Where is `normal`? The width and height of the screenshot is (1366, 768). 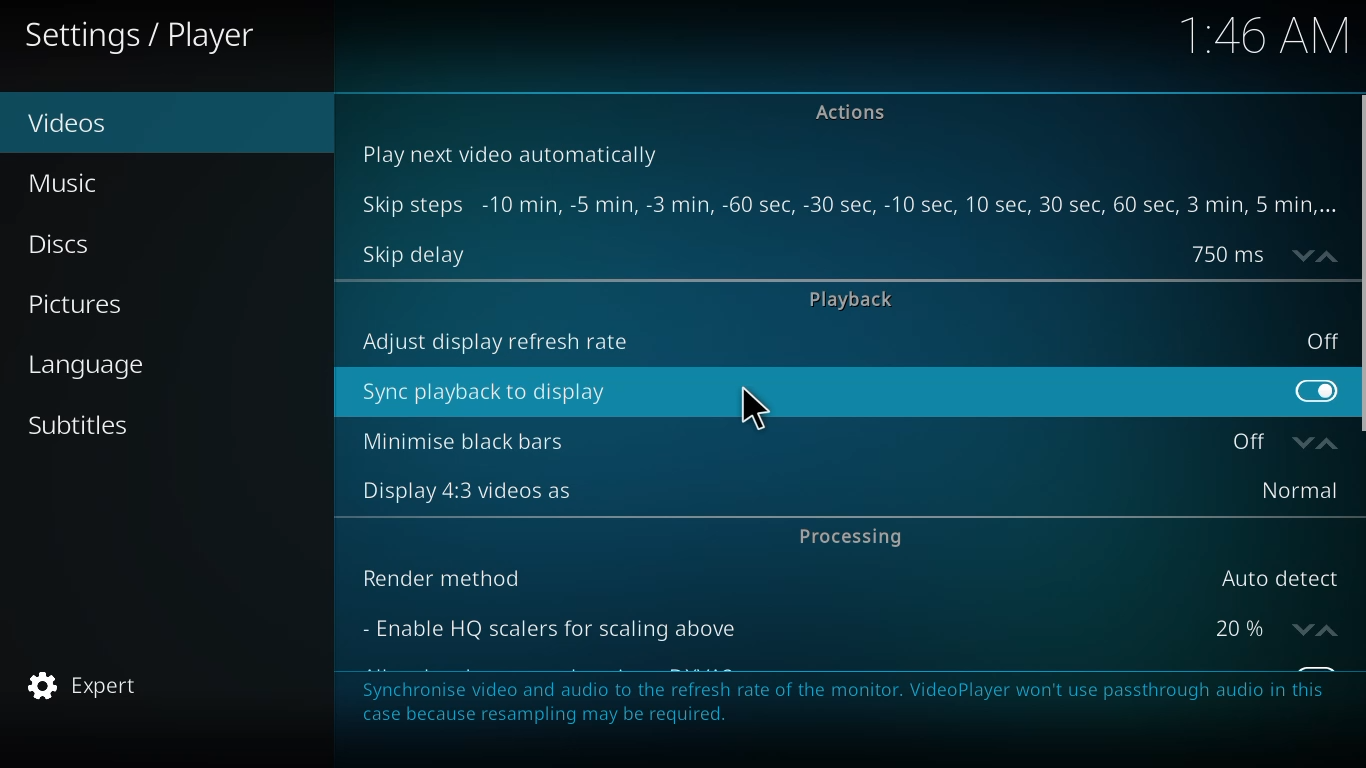
normal is located at coordinates (1301, 491).